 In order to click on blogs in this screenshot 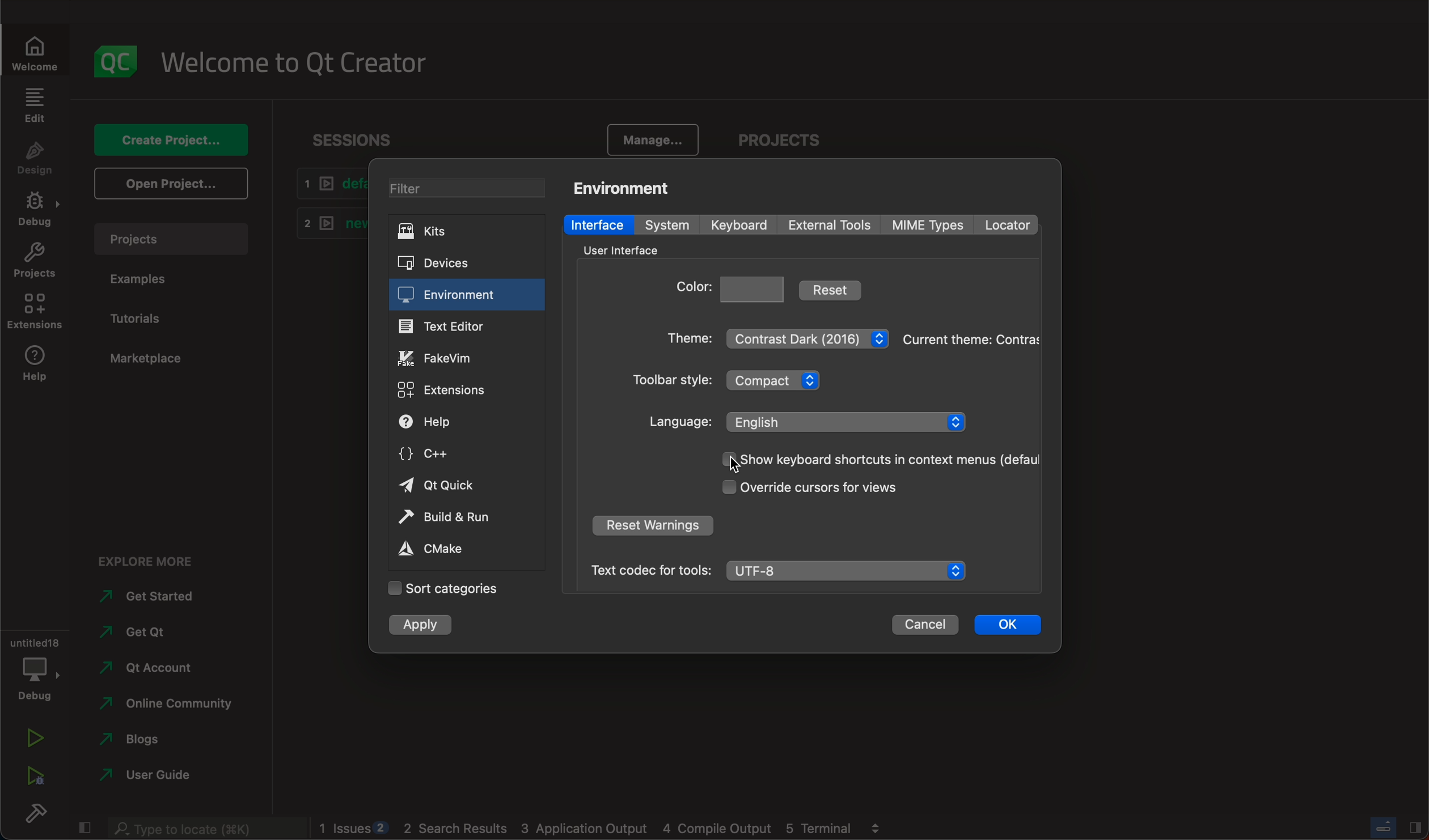, I will do `click(160, 741)`.